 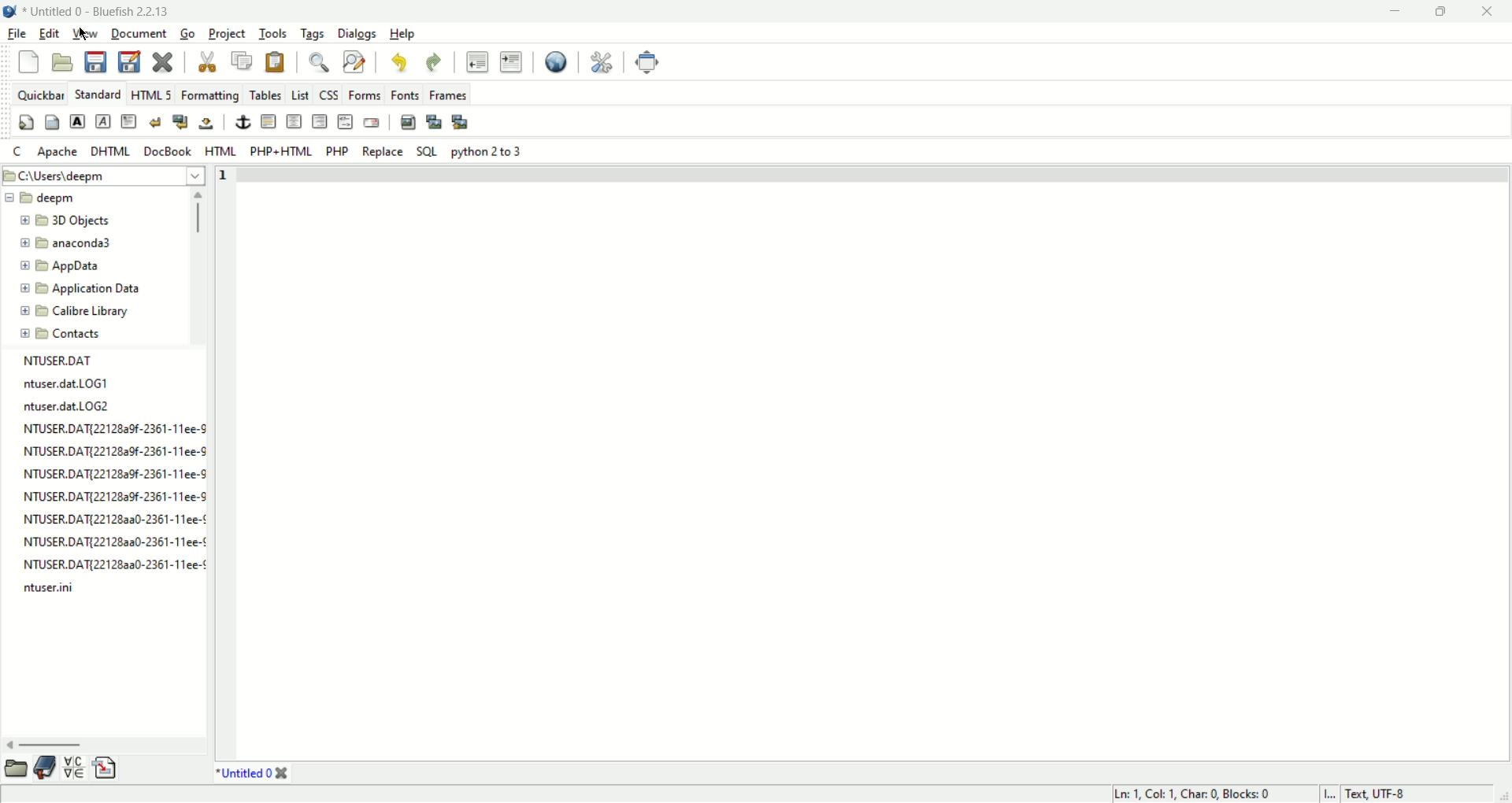 What do you see at coordinates (365, 94) in the screenshot?
I see `forms` at bounding box center [365, 94].